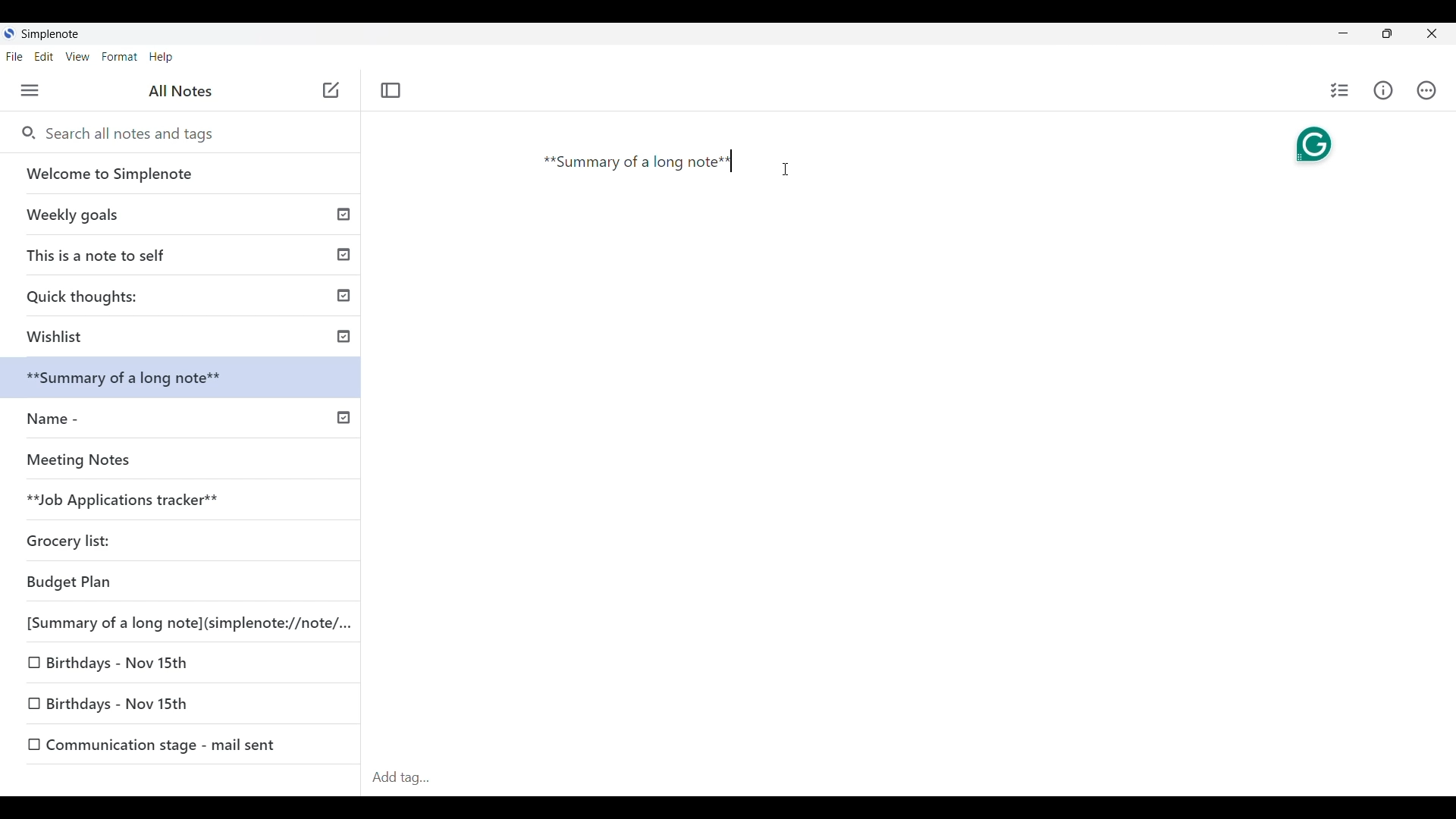  I want to click on Welcome to Simplenote, so click(182, 174).